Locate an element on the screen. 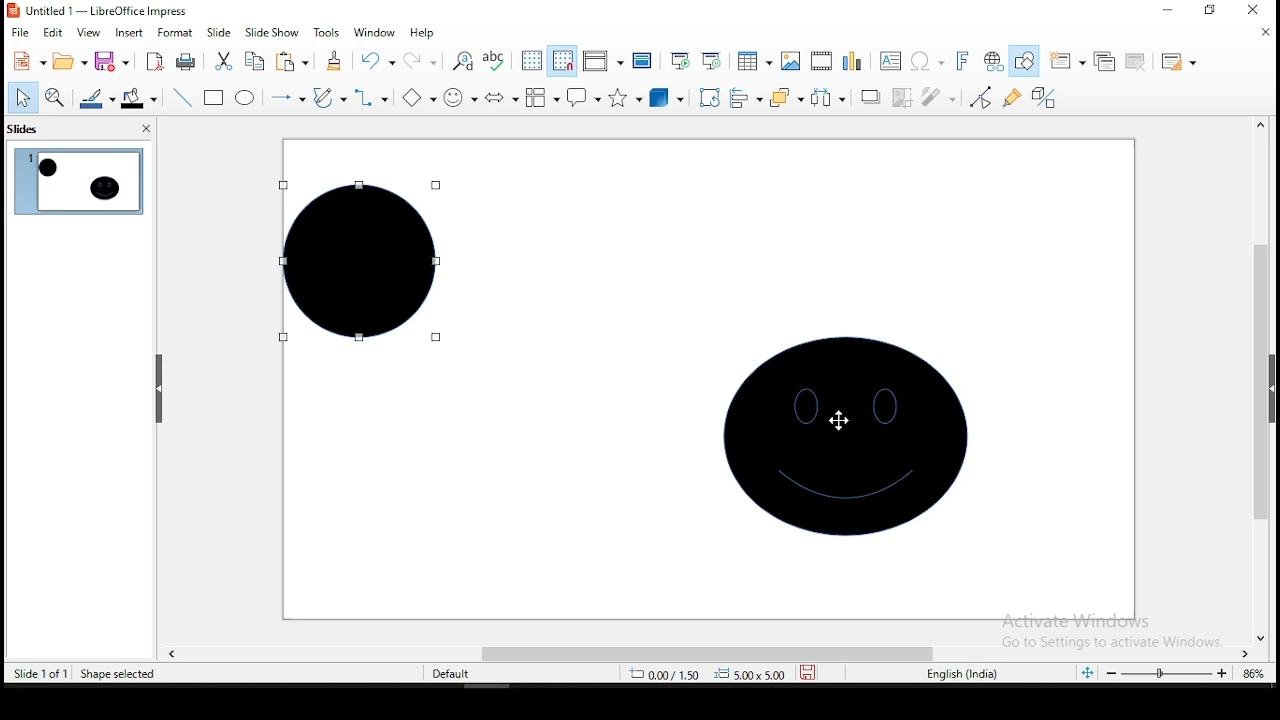 The height and width of the screenshot is (720, 1280). insert hyperlink is located at coordinates (992, 62).